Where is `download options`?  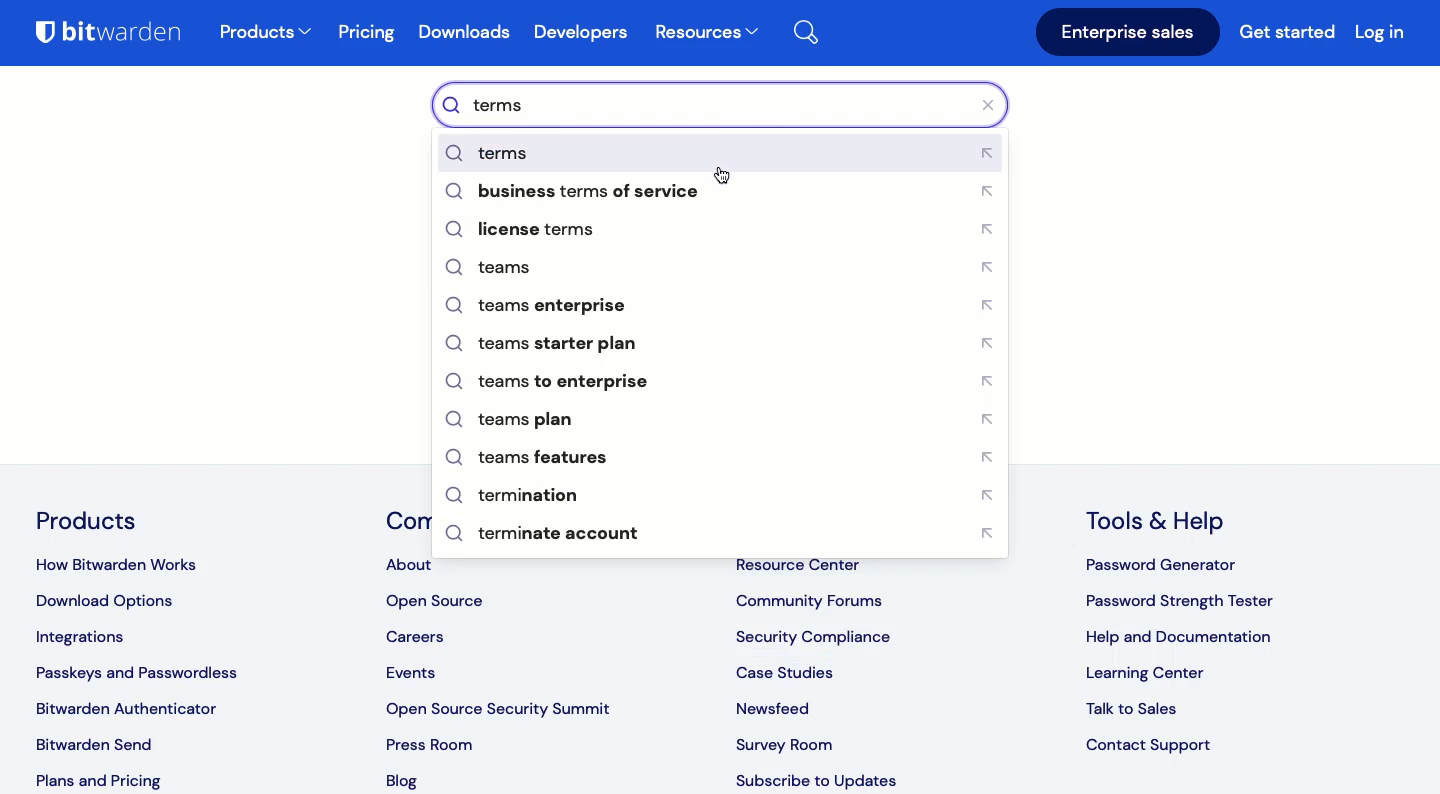
download options is located at coordinates (113, 602).